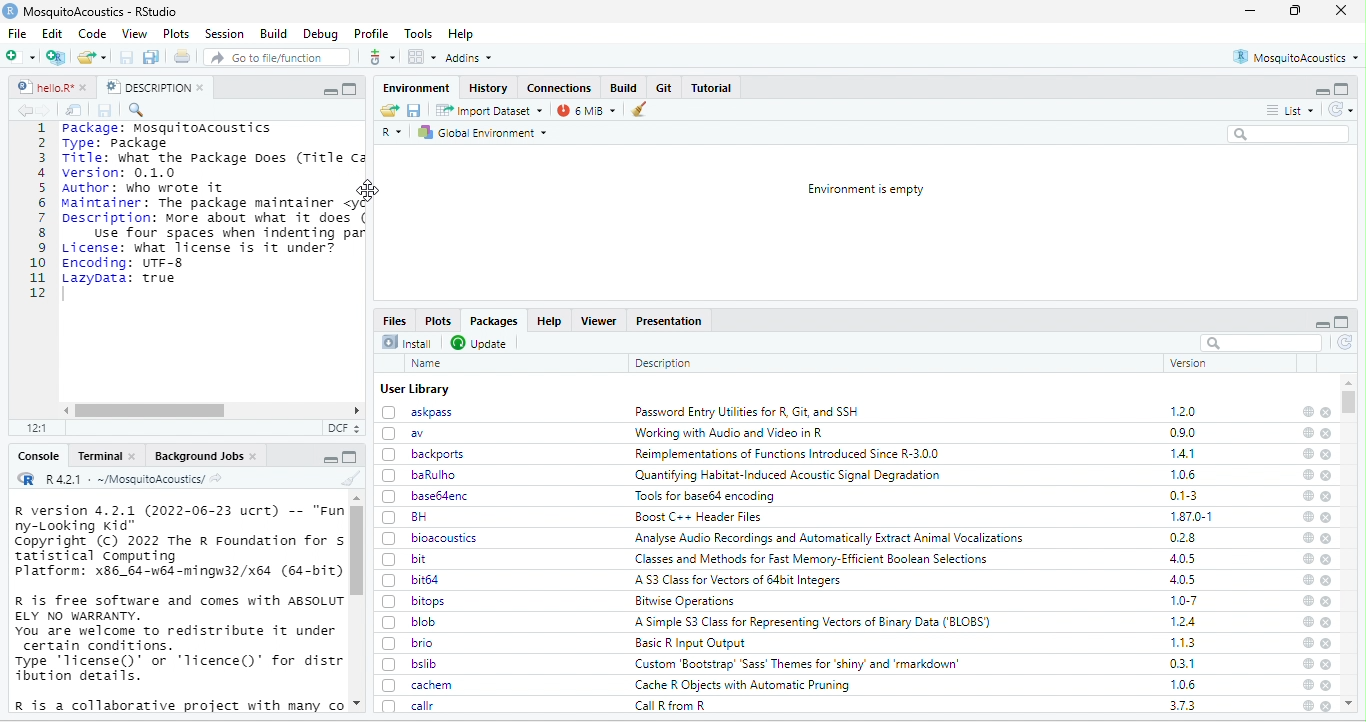  What do you see at coordinates (1342, 11) in the screenshot?
I see `close` at bounding box center [1342, 11].